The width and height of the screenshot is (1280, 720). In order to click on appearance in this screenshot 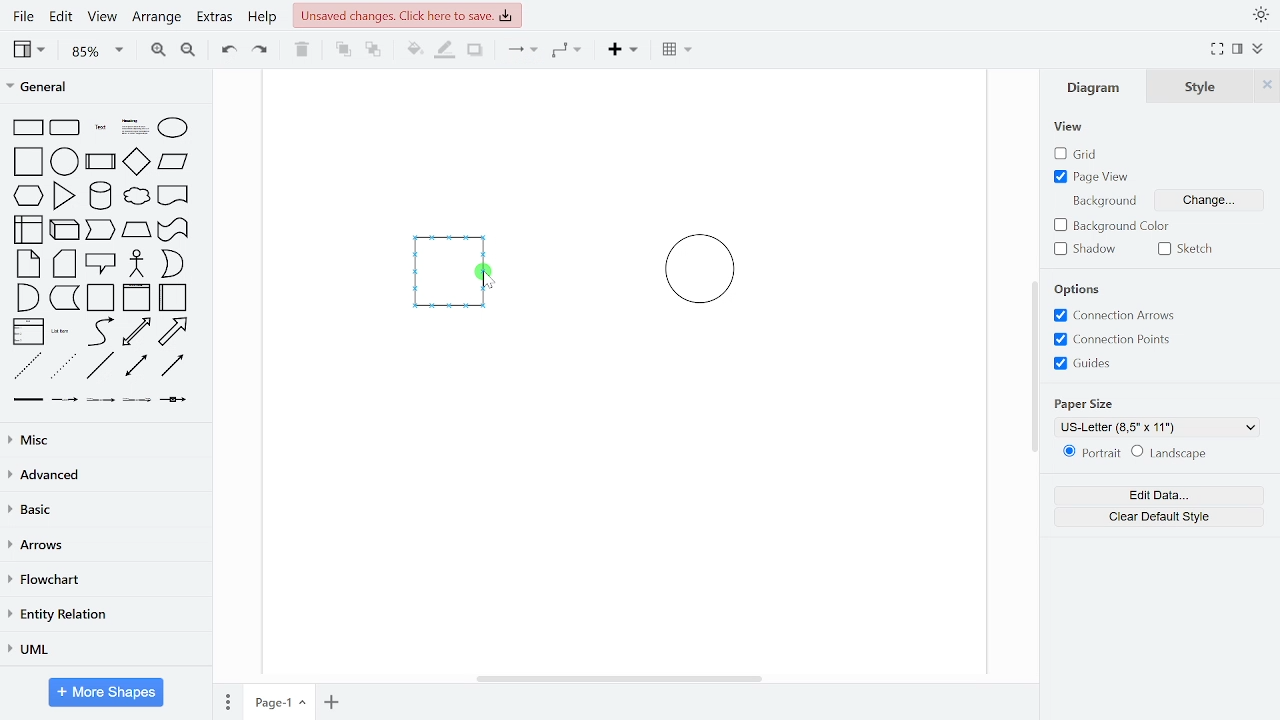, I will do `click(1260, 15)`.